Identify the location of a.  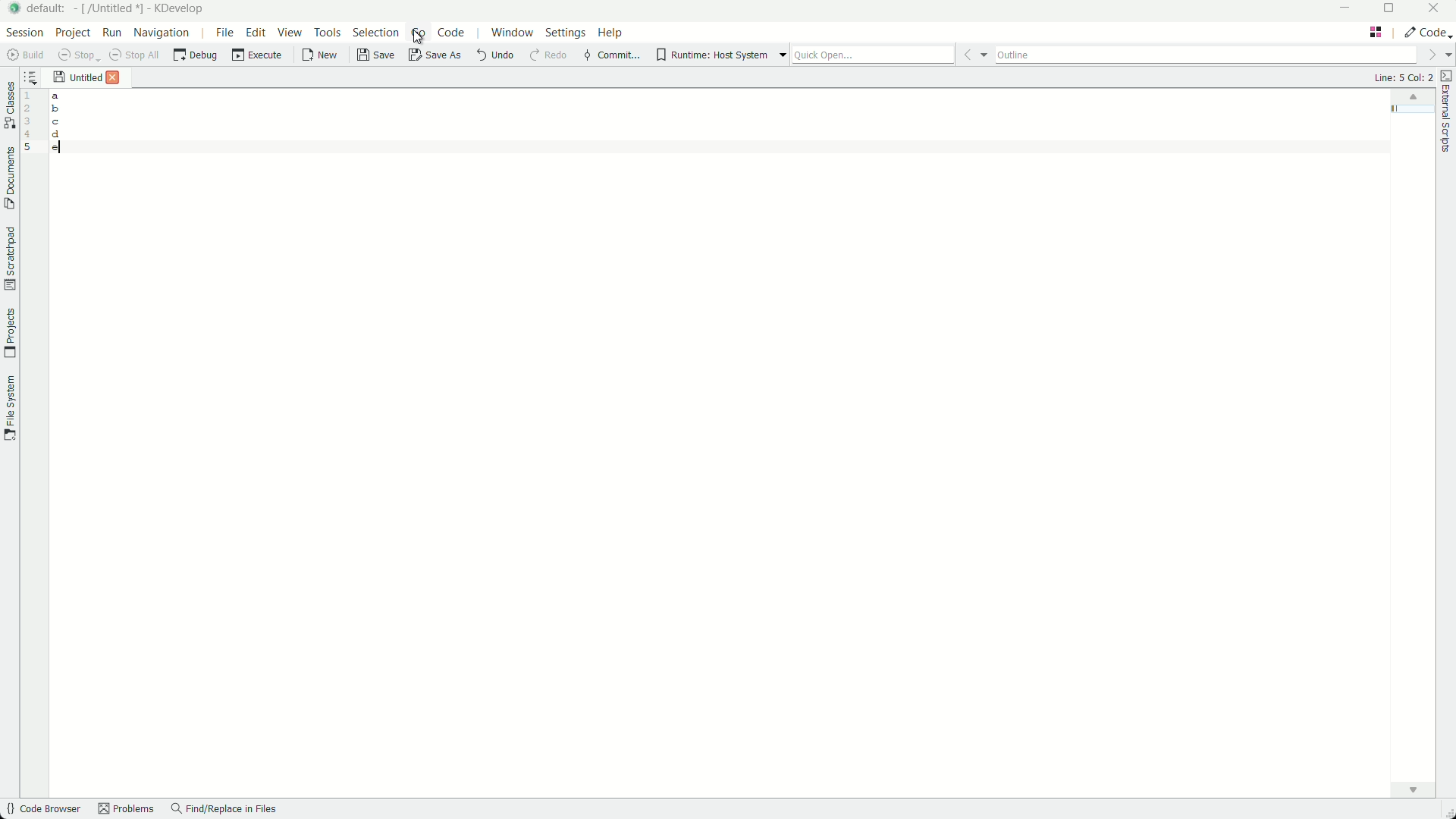
(56, 96).